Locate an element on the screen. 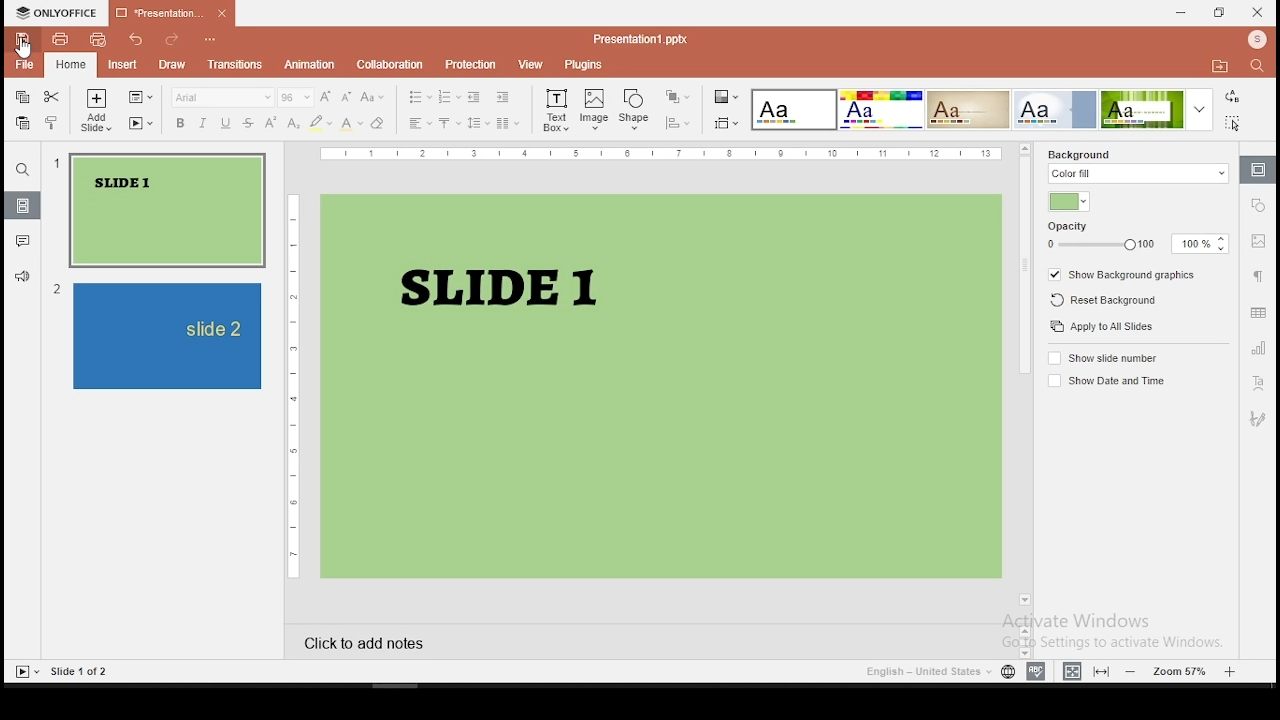 This screenshot has width=1280, height=720. insert is located at coordinates (123, 64).